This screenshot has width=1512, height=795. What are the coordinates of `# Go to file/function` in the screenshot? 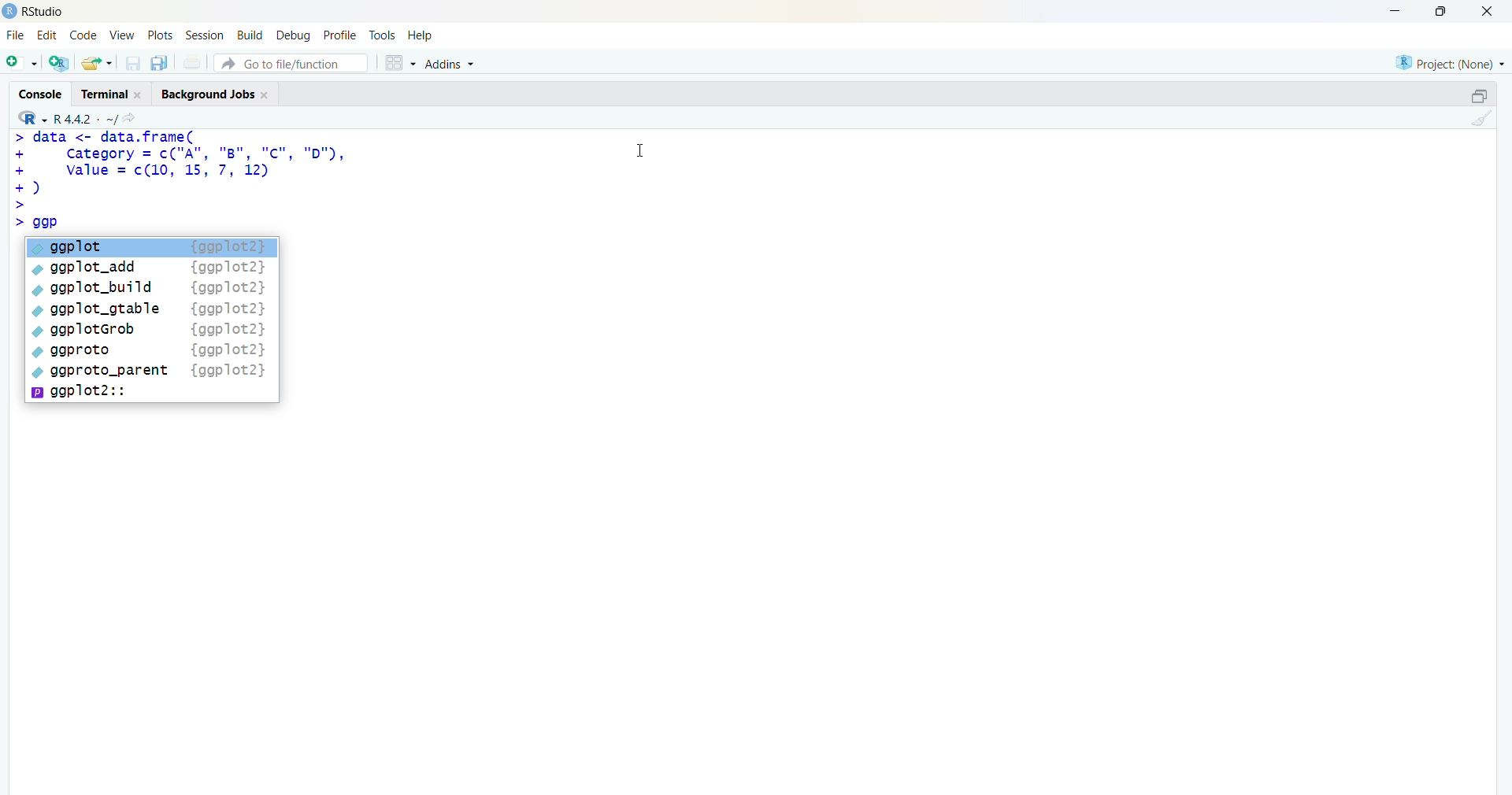 It's located at (291, 63).